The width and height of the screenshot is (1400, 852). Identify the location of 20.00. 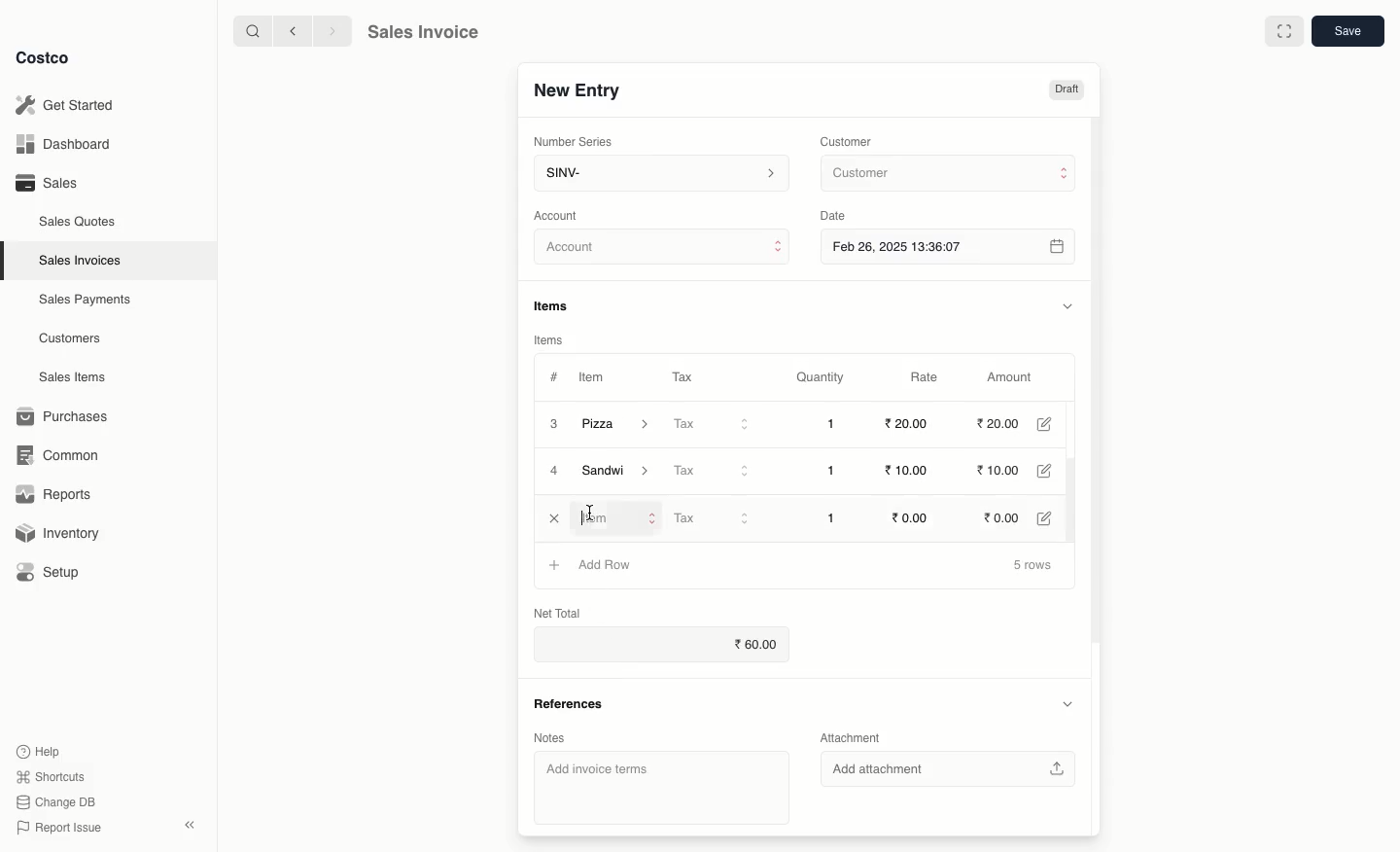
(905, 424).